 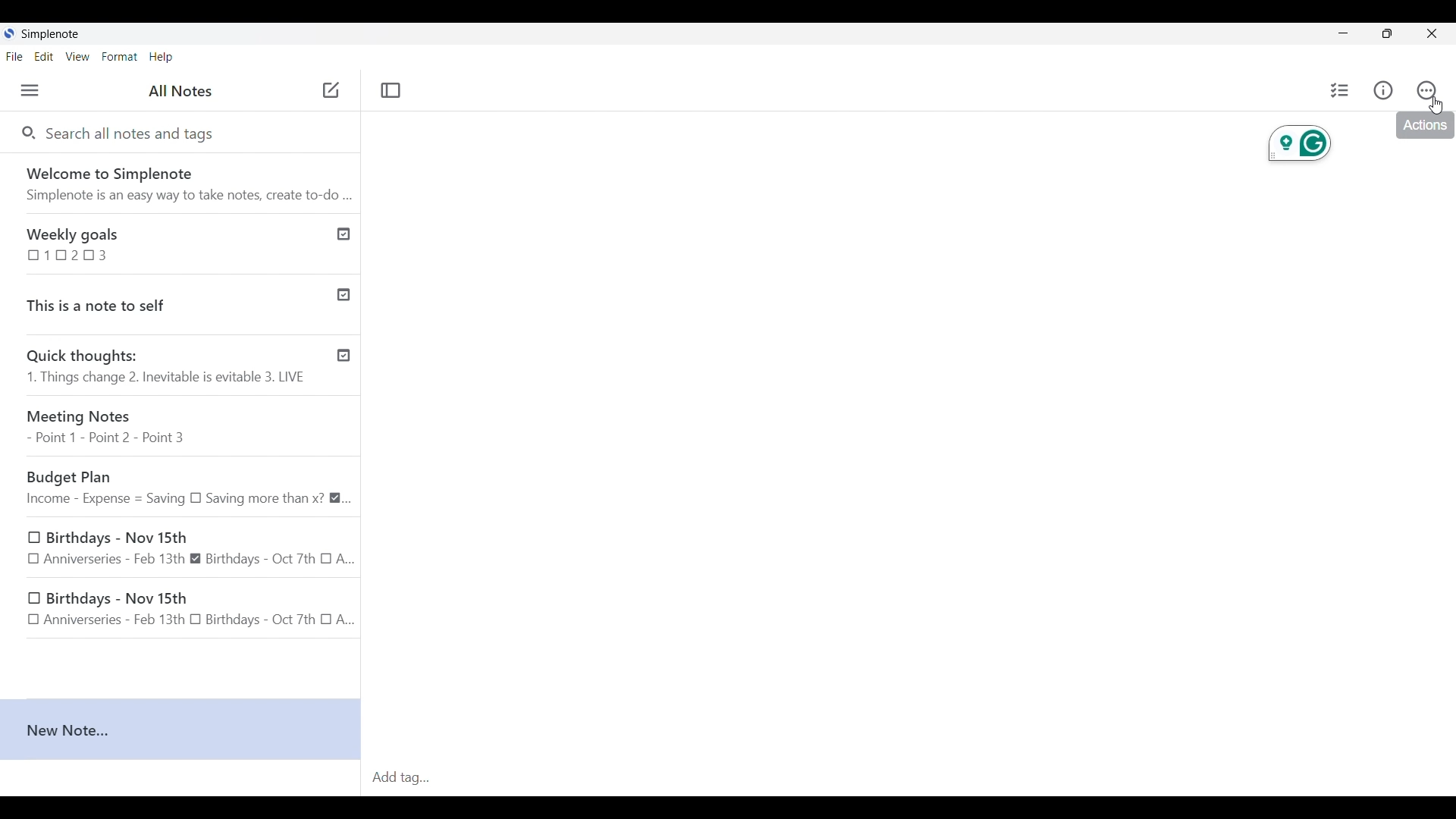 What do you see at coordinates (9, 33) in the screenshot?
I see `Software logo` at bounding box center [9, 33].